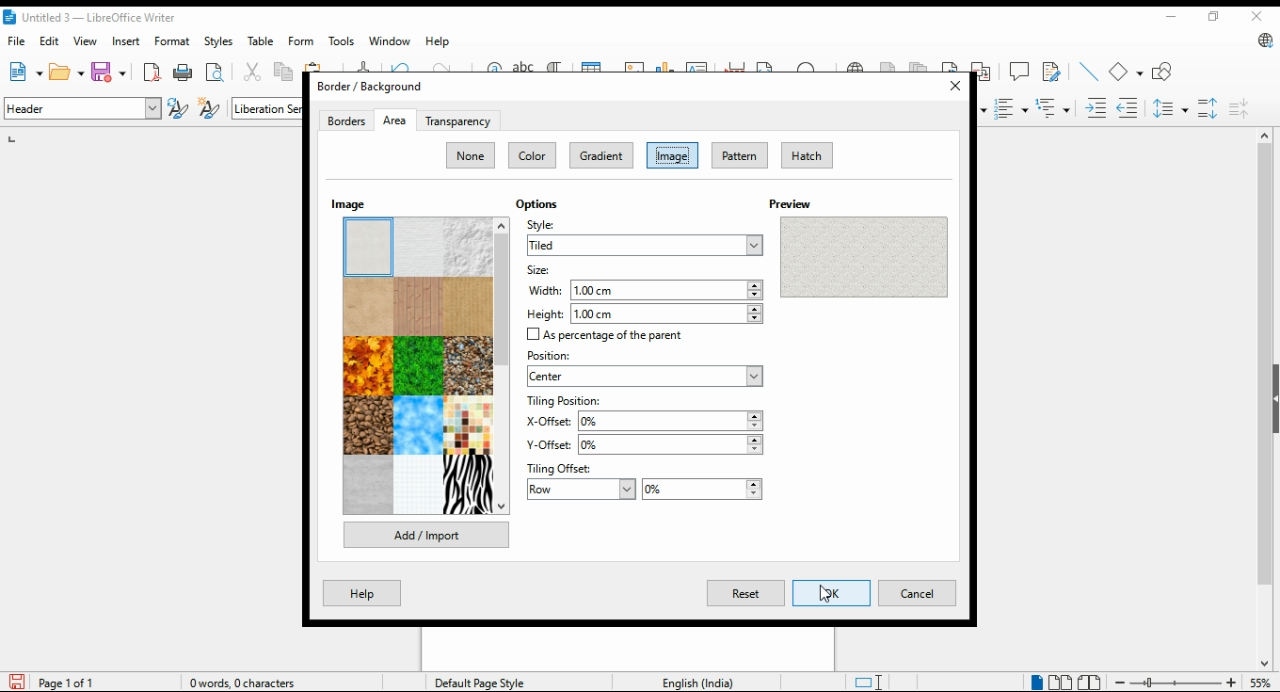 Image resolution: width=1280 pixels, height=692 pixels. Describe the element at coordinates (469, 366) in the screenshot. I see `image option 9` at that location.